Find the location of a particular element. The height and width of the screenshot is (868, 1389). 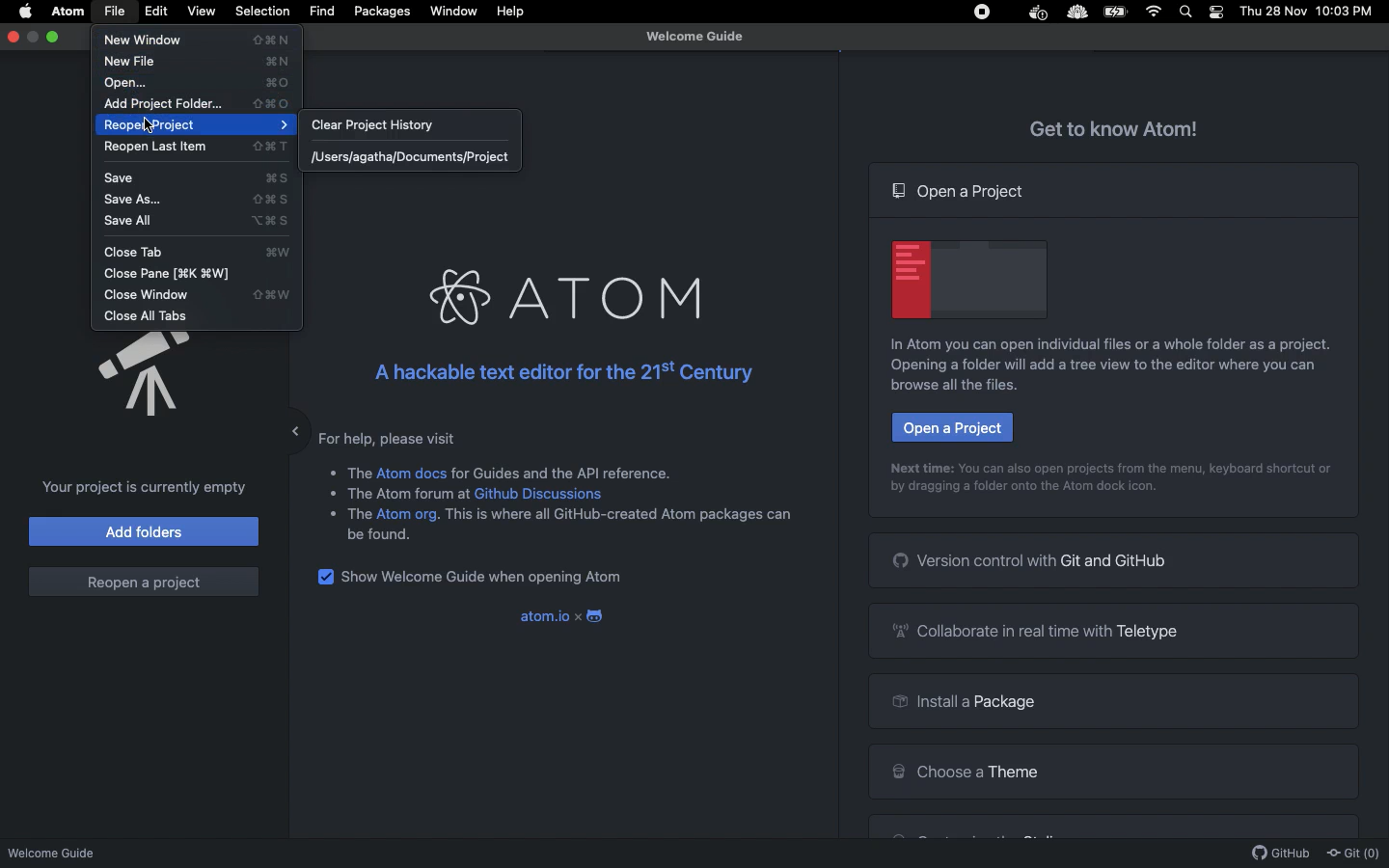

Github Discussion is located at coordinates (542, 494).